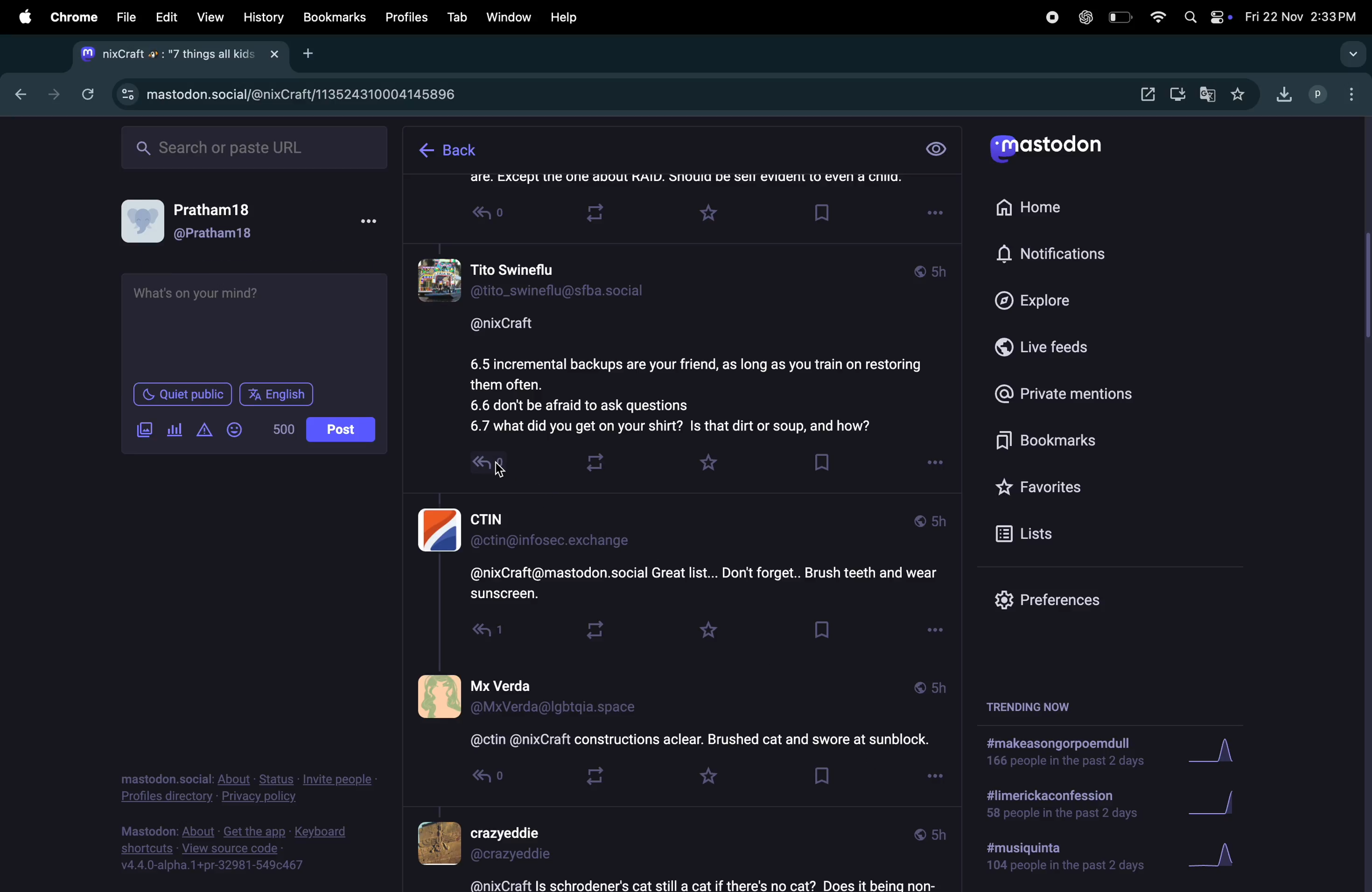 Image resolution: width=1372 pixels, height=892 pixels. I want to click on Add, so click(315, 56).